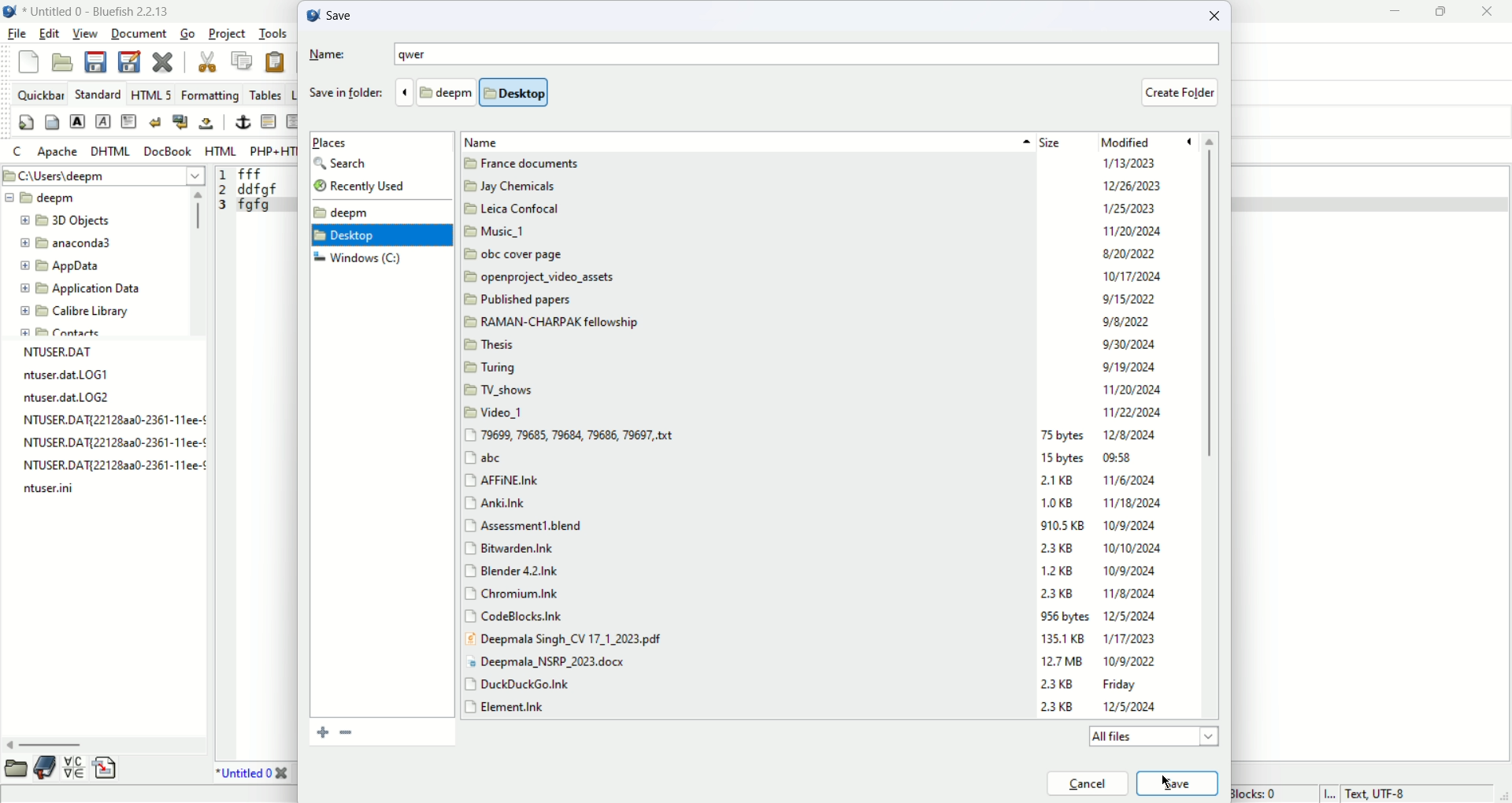 The height and width of the screenshot is (803, 1512). I want to click on file name, so click(46, 493).